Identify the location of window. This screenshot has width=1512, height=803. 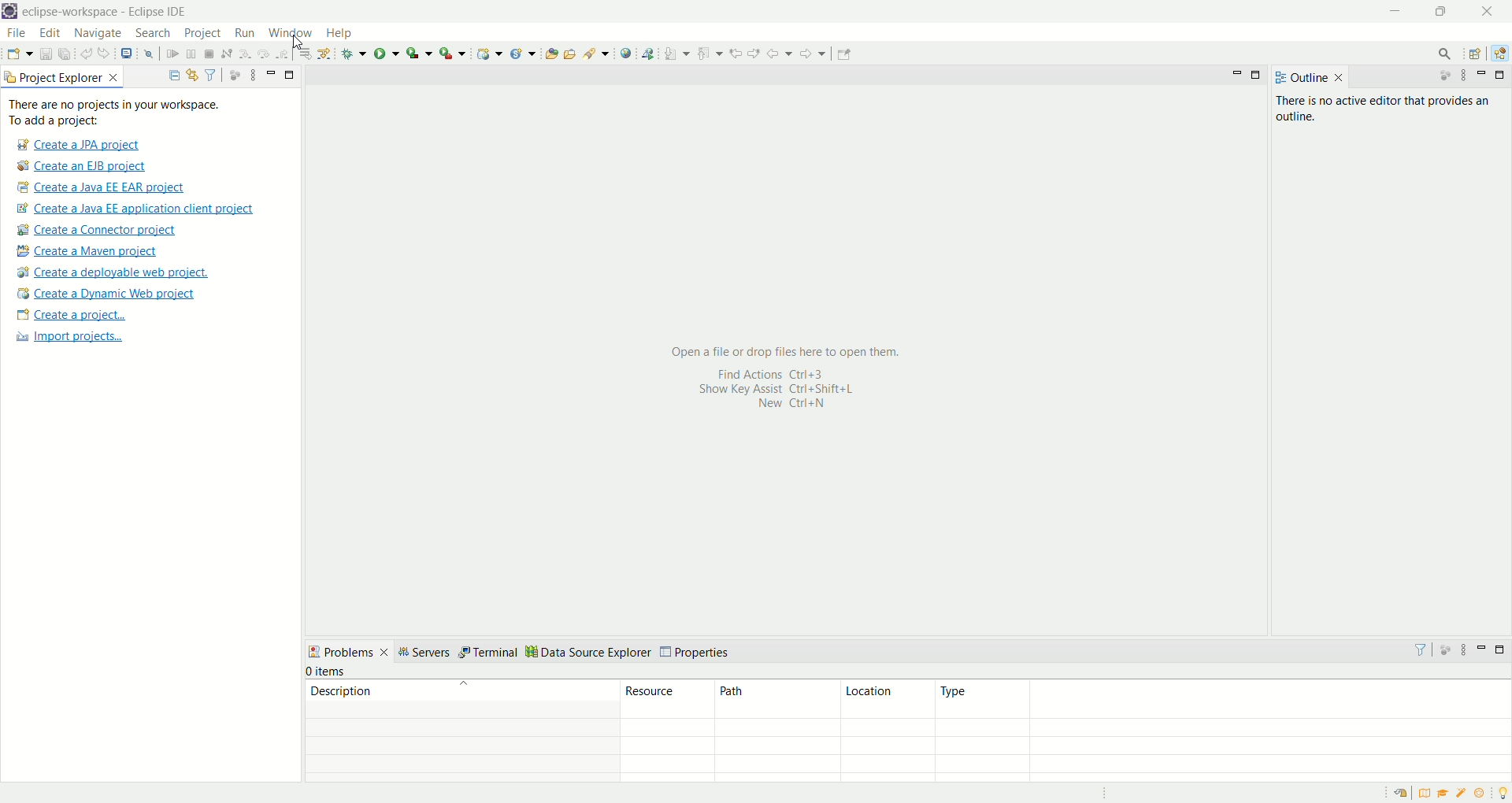
(294, 31).